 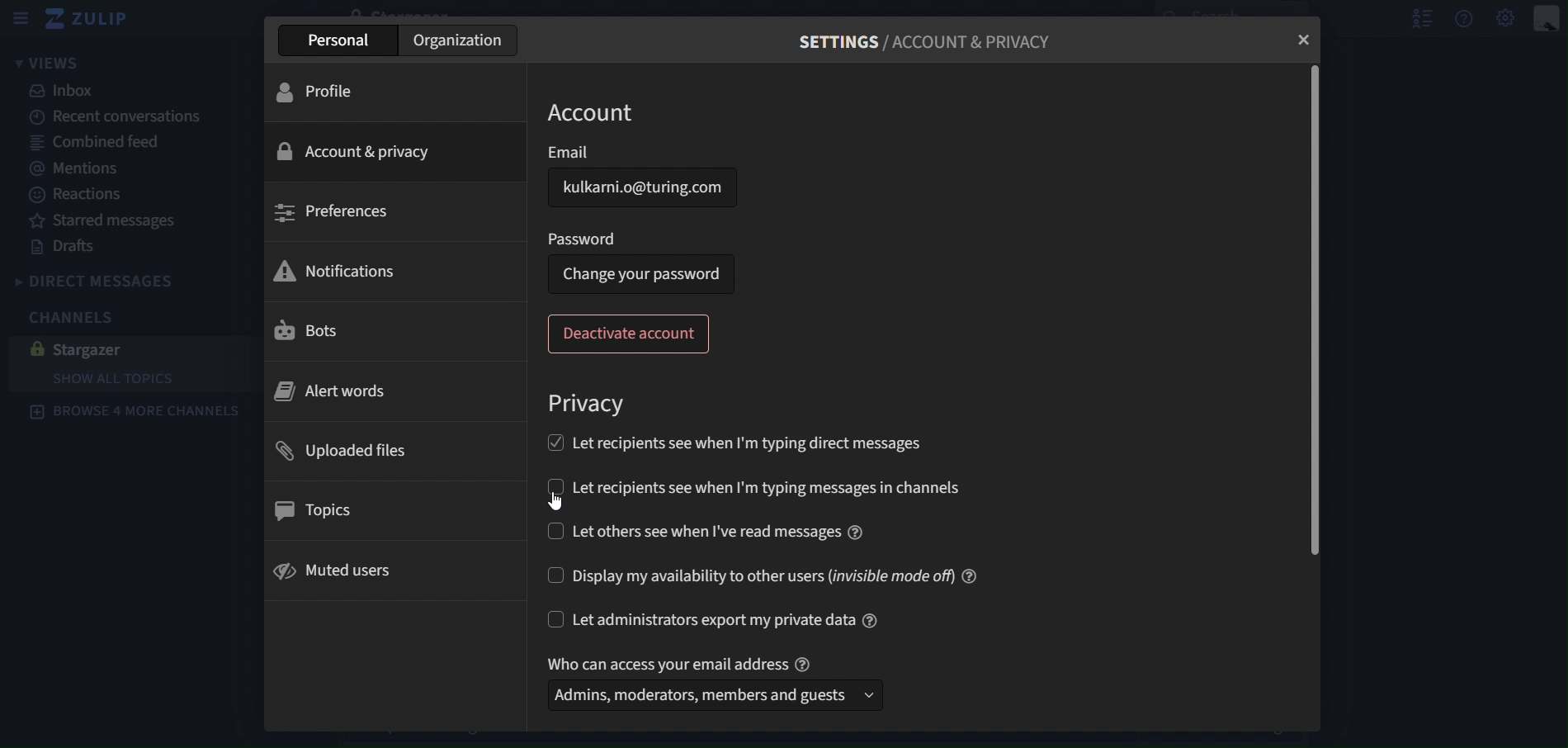 What do you see at coordinates (718, 533) in the screenshot?
I see `let others see when i've read message` at bounding box center [718, 533].